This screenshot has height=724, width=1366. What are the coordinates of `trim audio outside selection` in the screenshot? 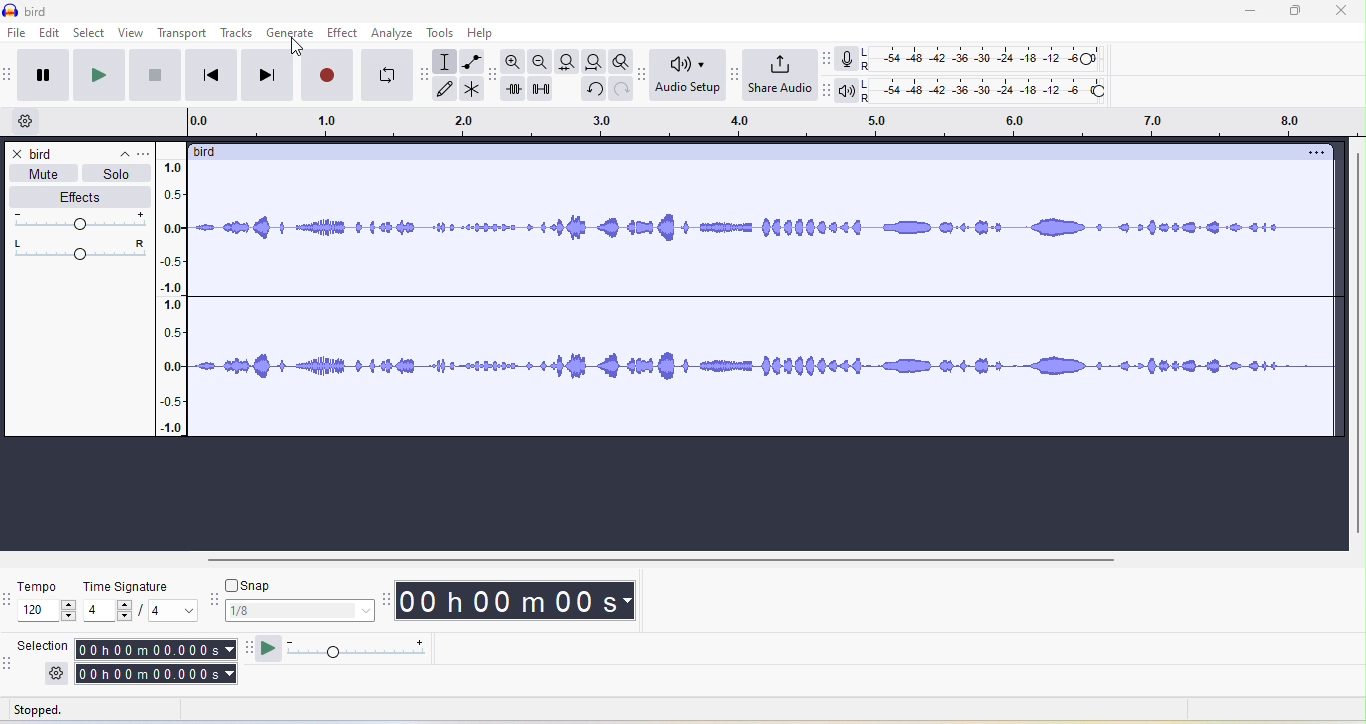 It's located at (518, 93).